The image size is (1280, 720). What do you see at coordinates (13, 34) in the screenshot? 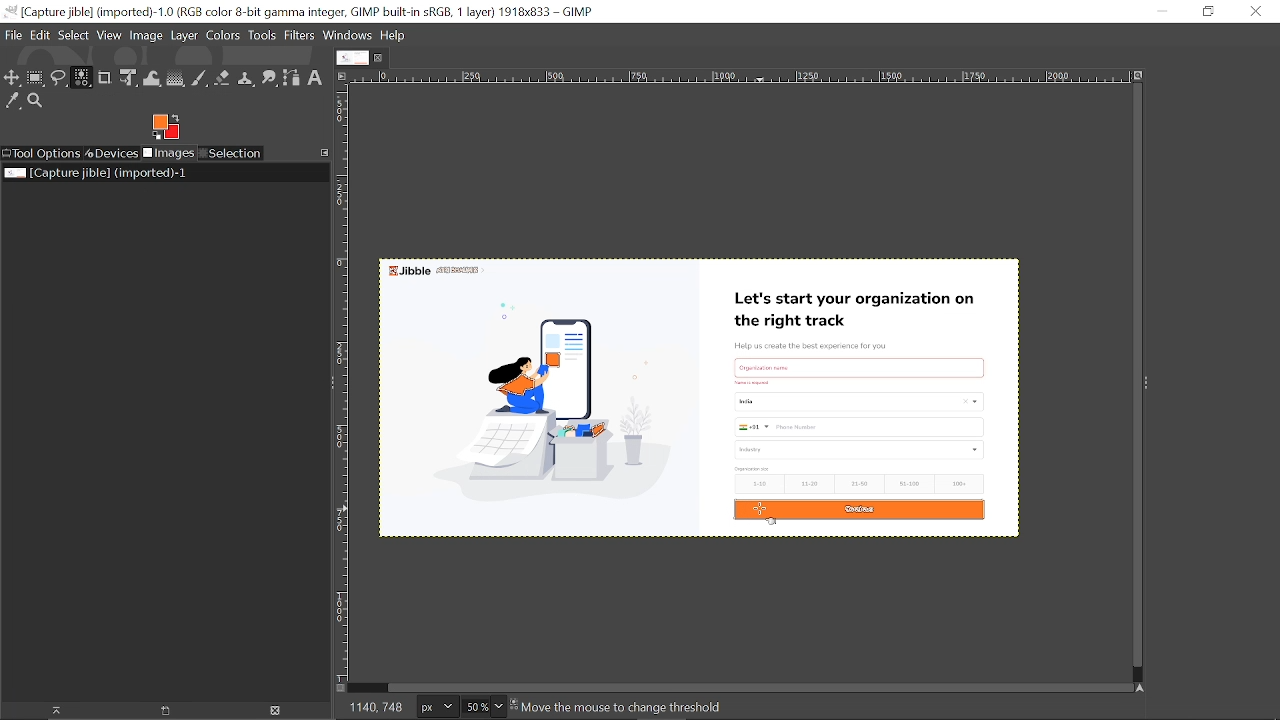
I see `File` at bounding box center [13, 34].